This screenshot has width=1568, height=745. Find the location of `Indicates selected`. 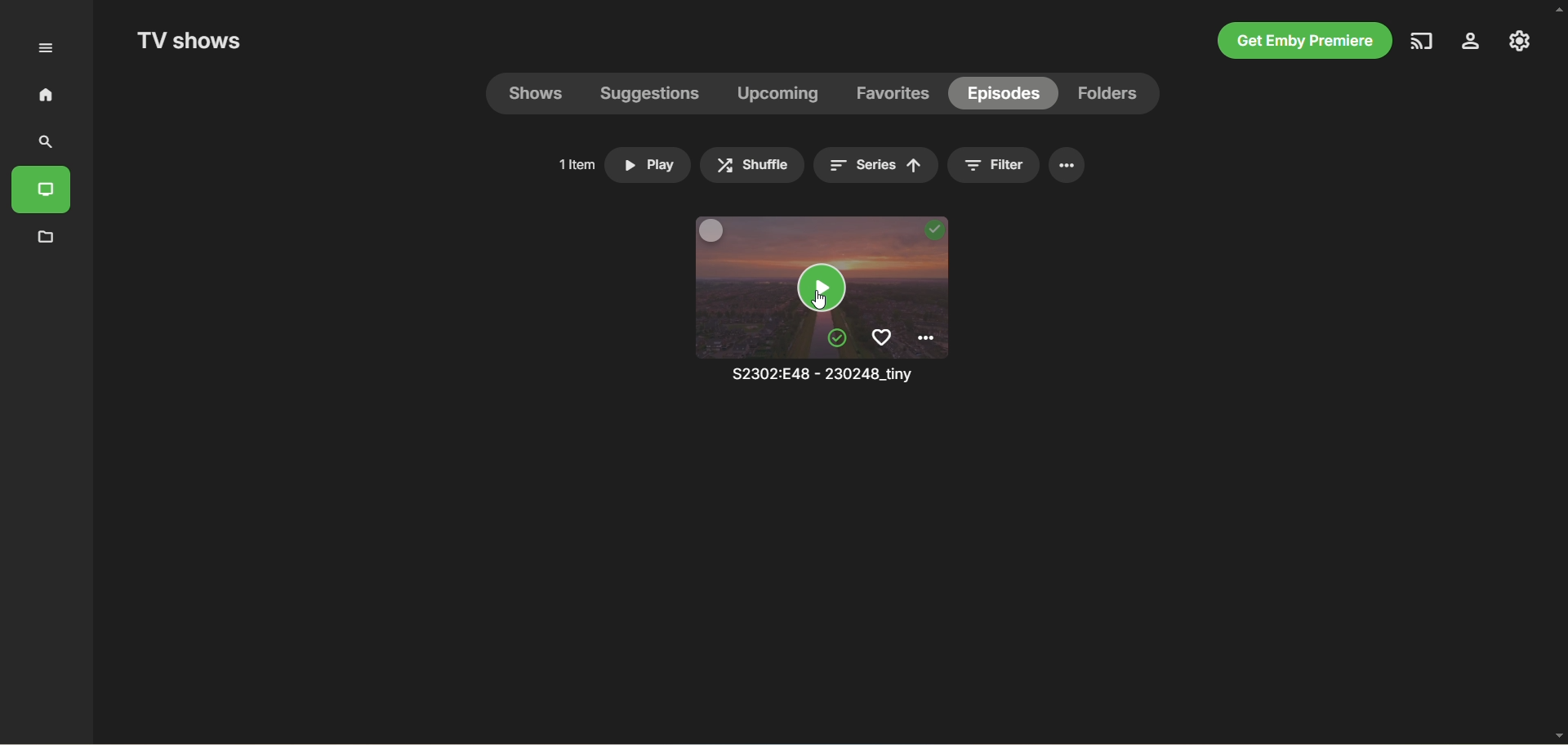

Indicates selected is located at coordinates (934, 230).